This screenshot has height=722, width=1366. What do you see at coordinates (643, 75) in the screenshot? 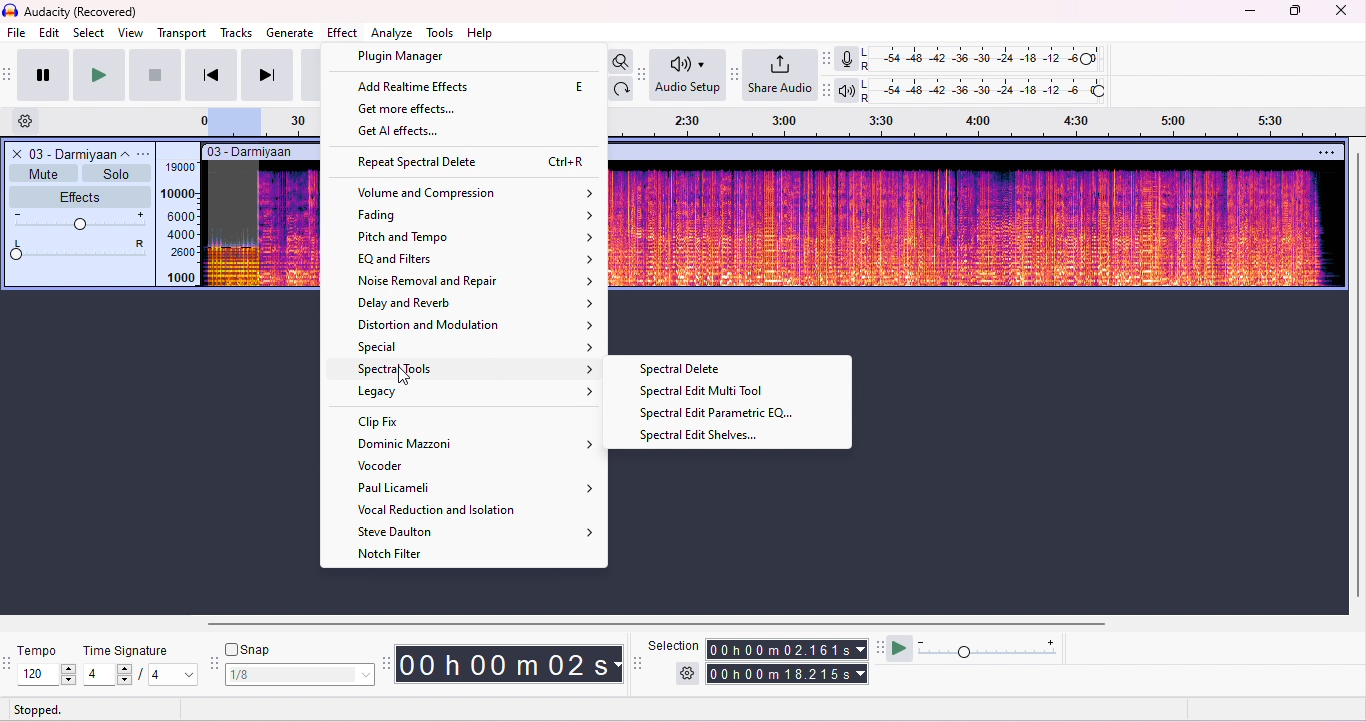
I see `Audio setup tool bar` at bounding box center [643, 75].